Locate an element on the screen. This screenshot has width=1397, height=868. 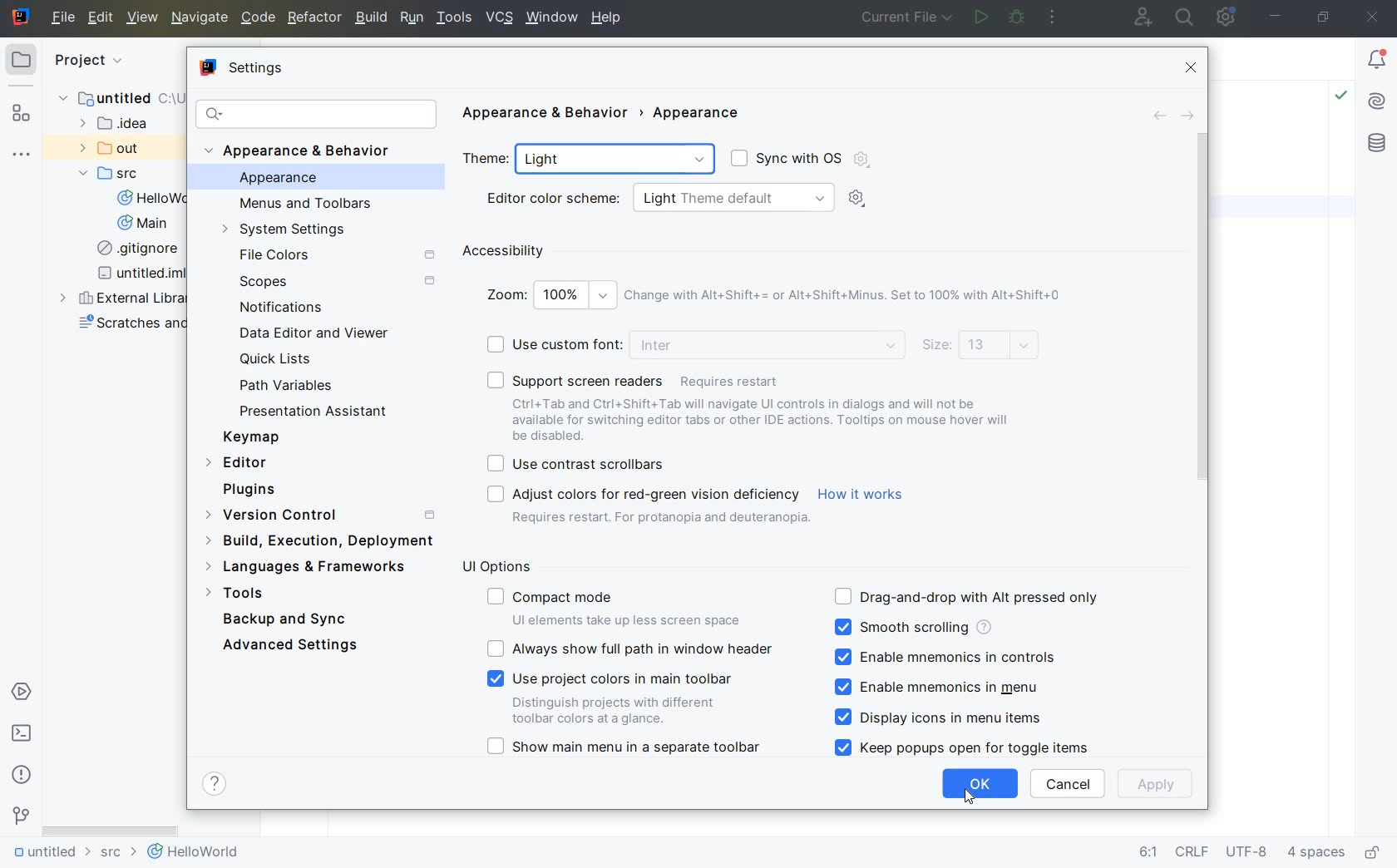
restore is located at coordinates (1325, 18).